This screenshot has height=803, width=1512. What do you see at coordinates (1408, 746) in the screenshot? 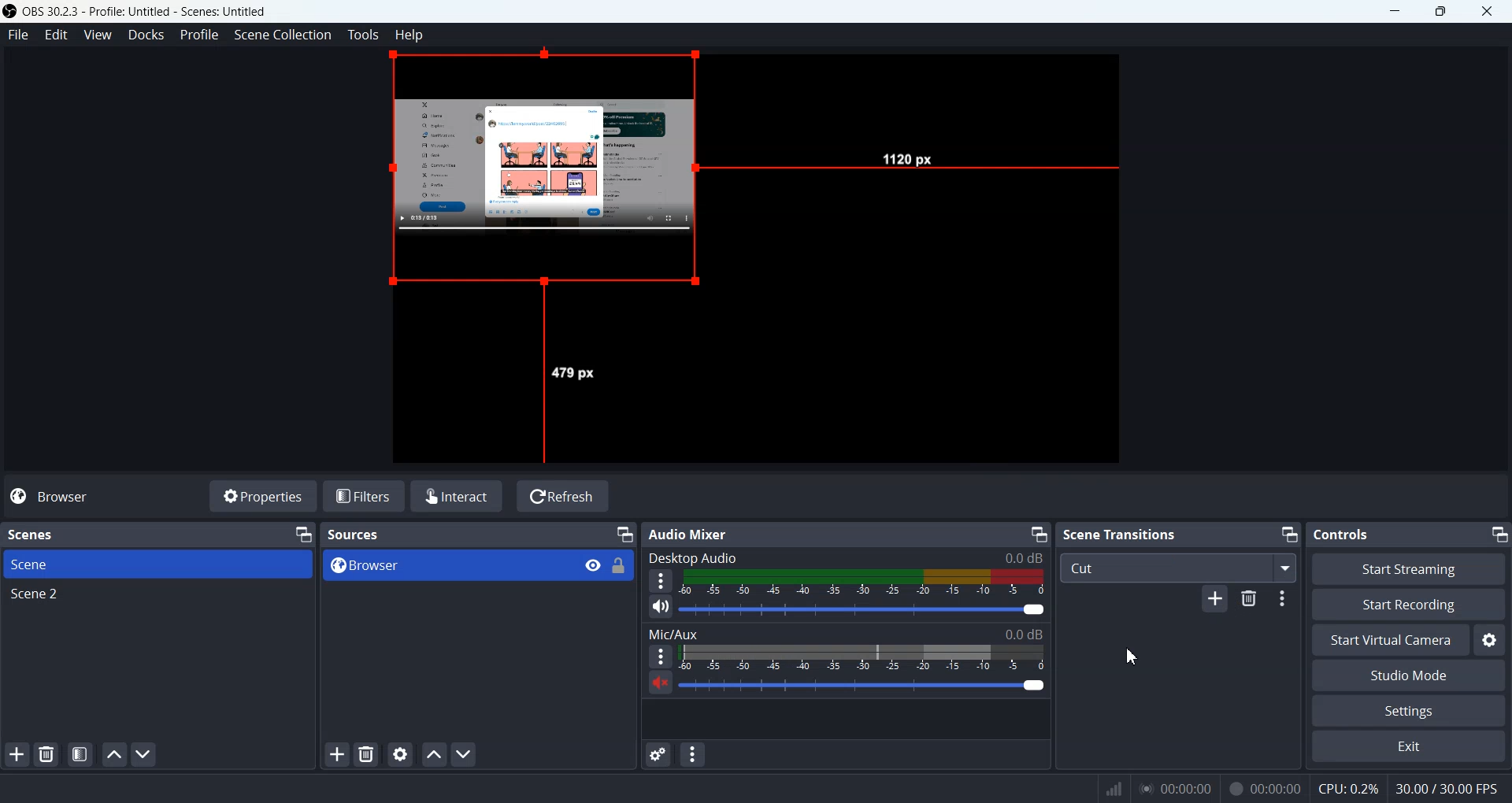
I see `Exit` at bounding box center [1408, 746].